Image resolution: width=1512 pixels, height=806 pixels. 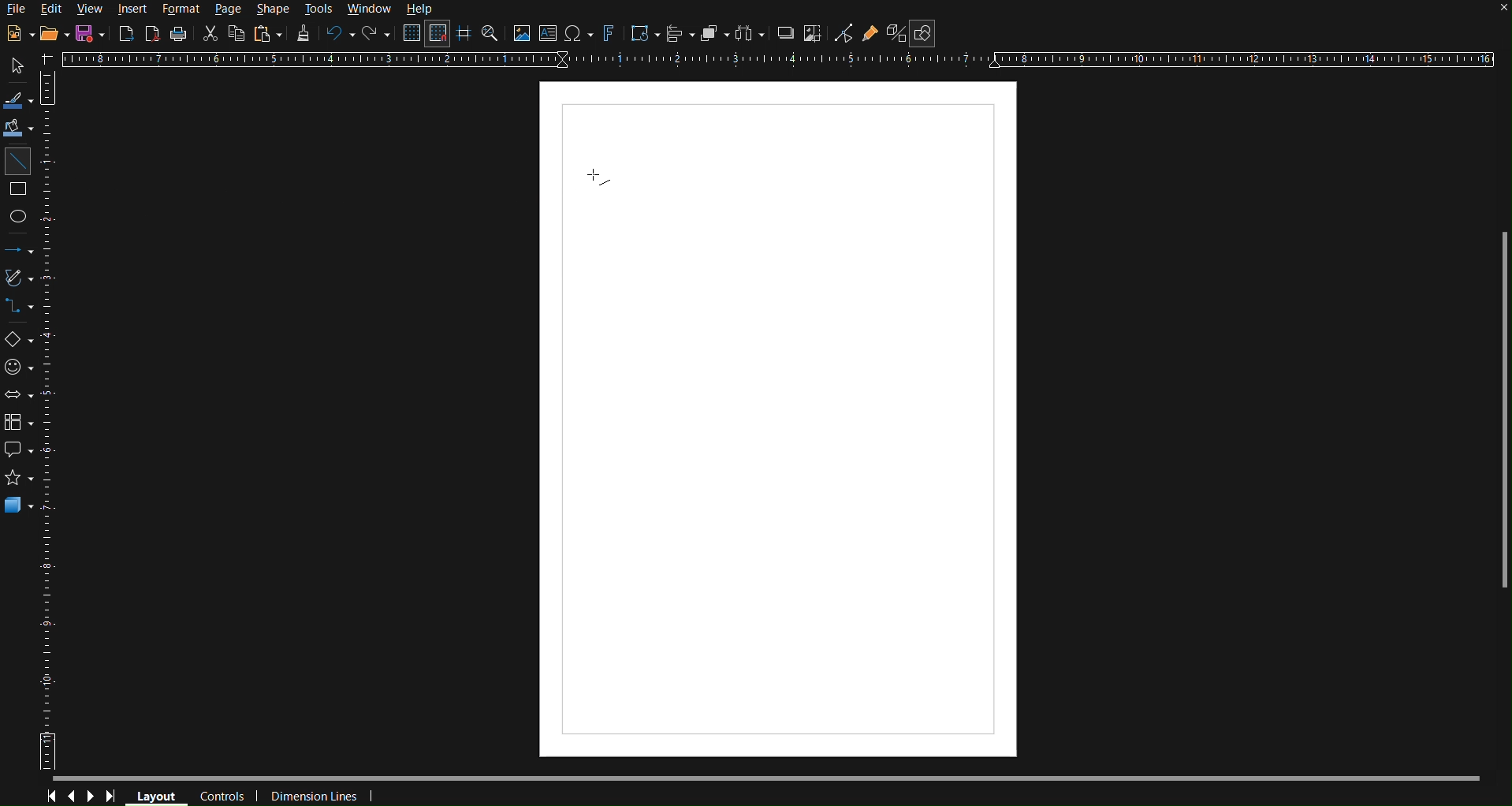 I want to click on Tools, so click(x=319, y=10).